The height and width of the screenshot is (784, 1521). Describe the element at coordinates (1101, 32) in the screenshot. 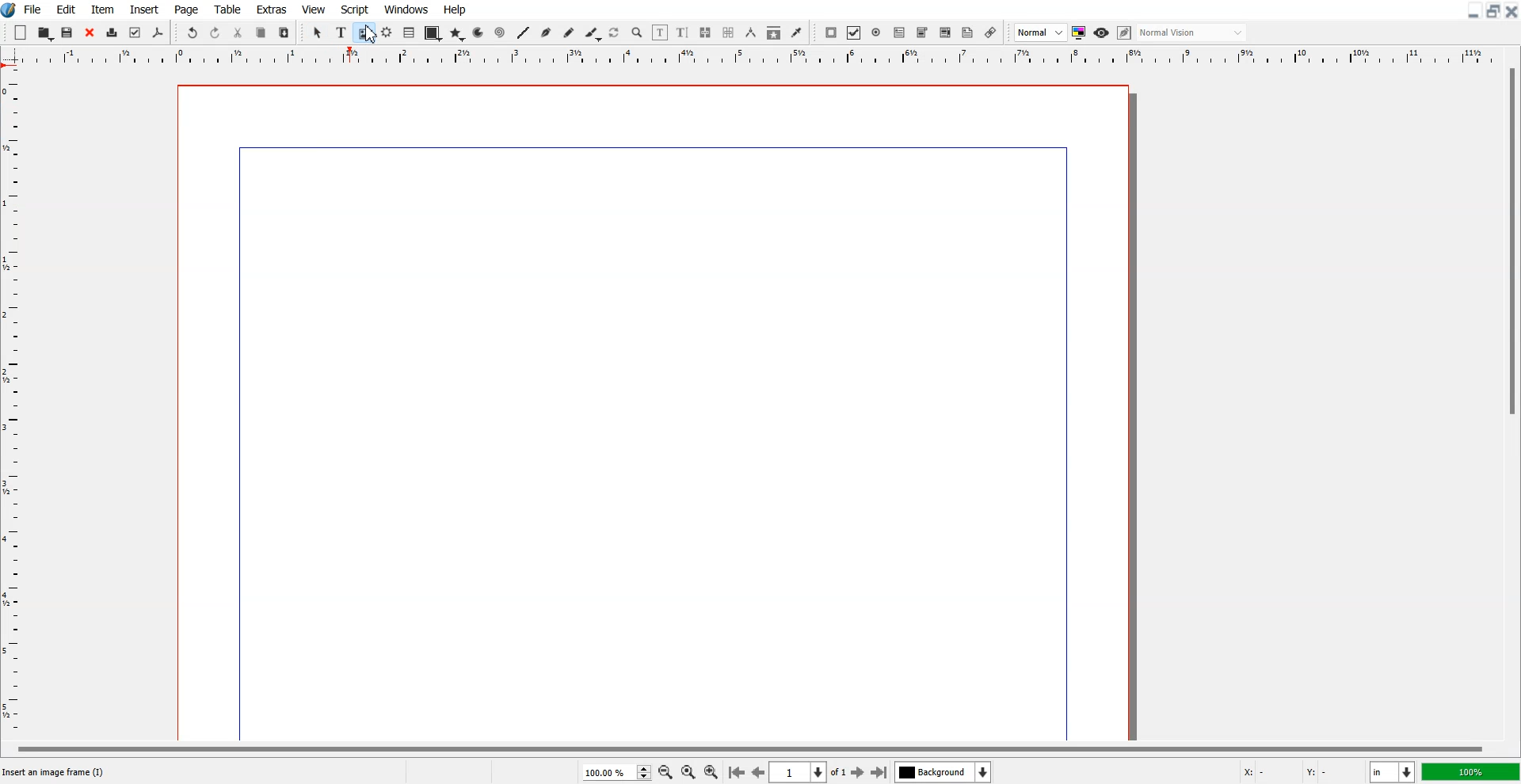

I see `Preview` at that location.